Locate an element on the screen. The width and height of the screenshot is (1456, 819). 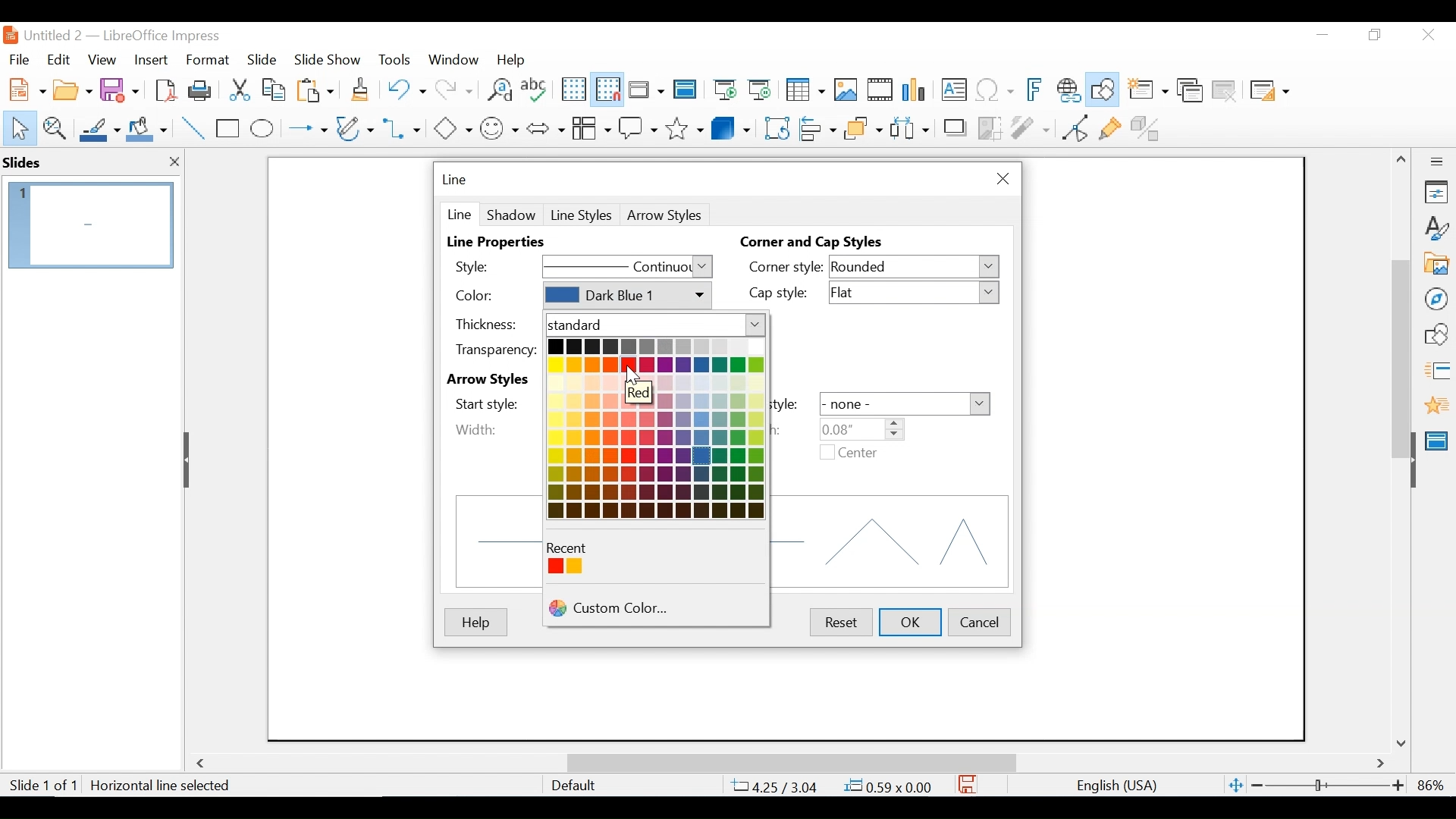
Flat is located at coordinates (916, 293).